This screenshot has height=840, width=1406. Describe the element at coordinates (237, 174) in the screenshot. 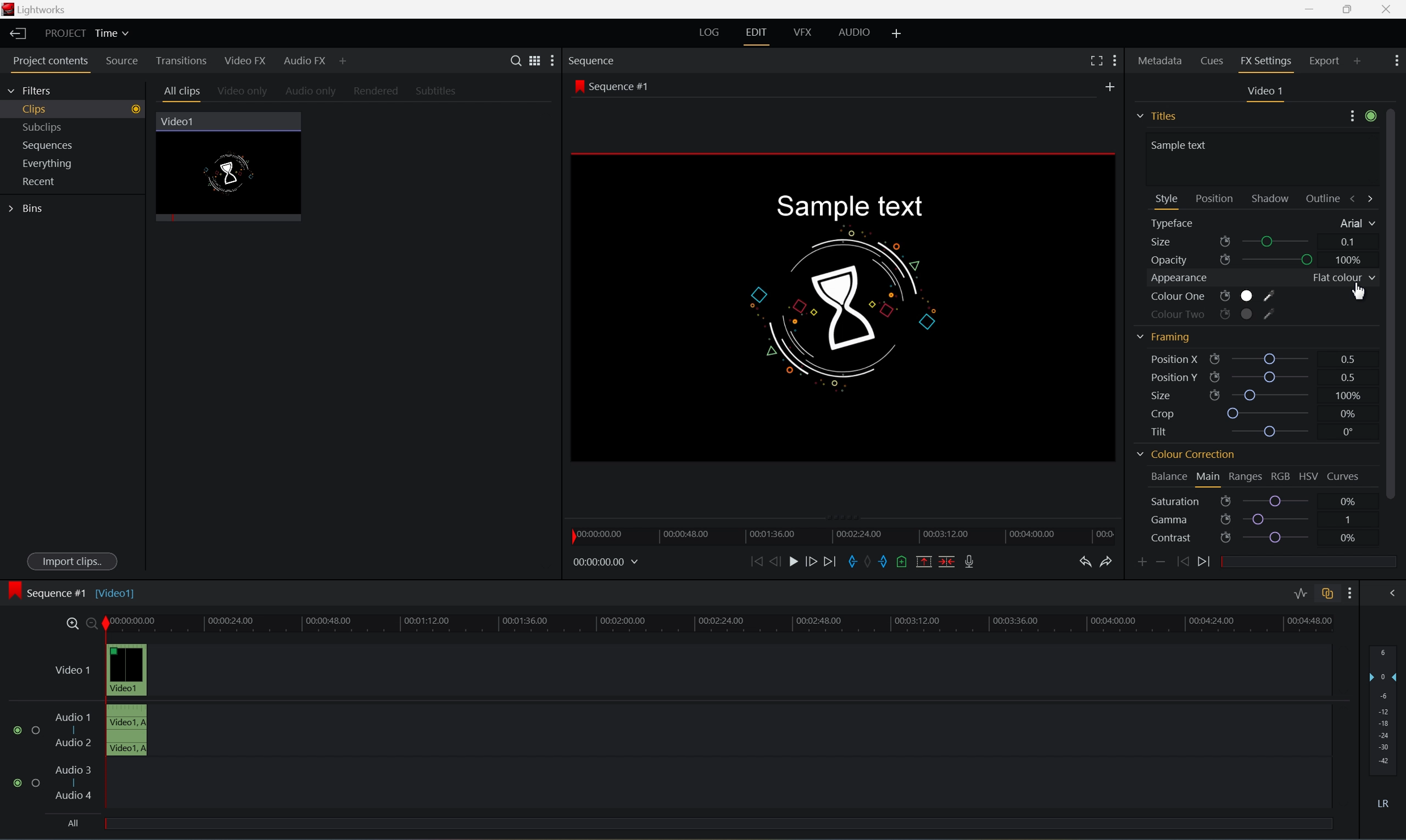

I see `Video` at that location.